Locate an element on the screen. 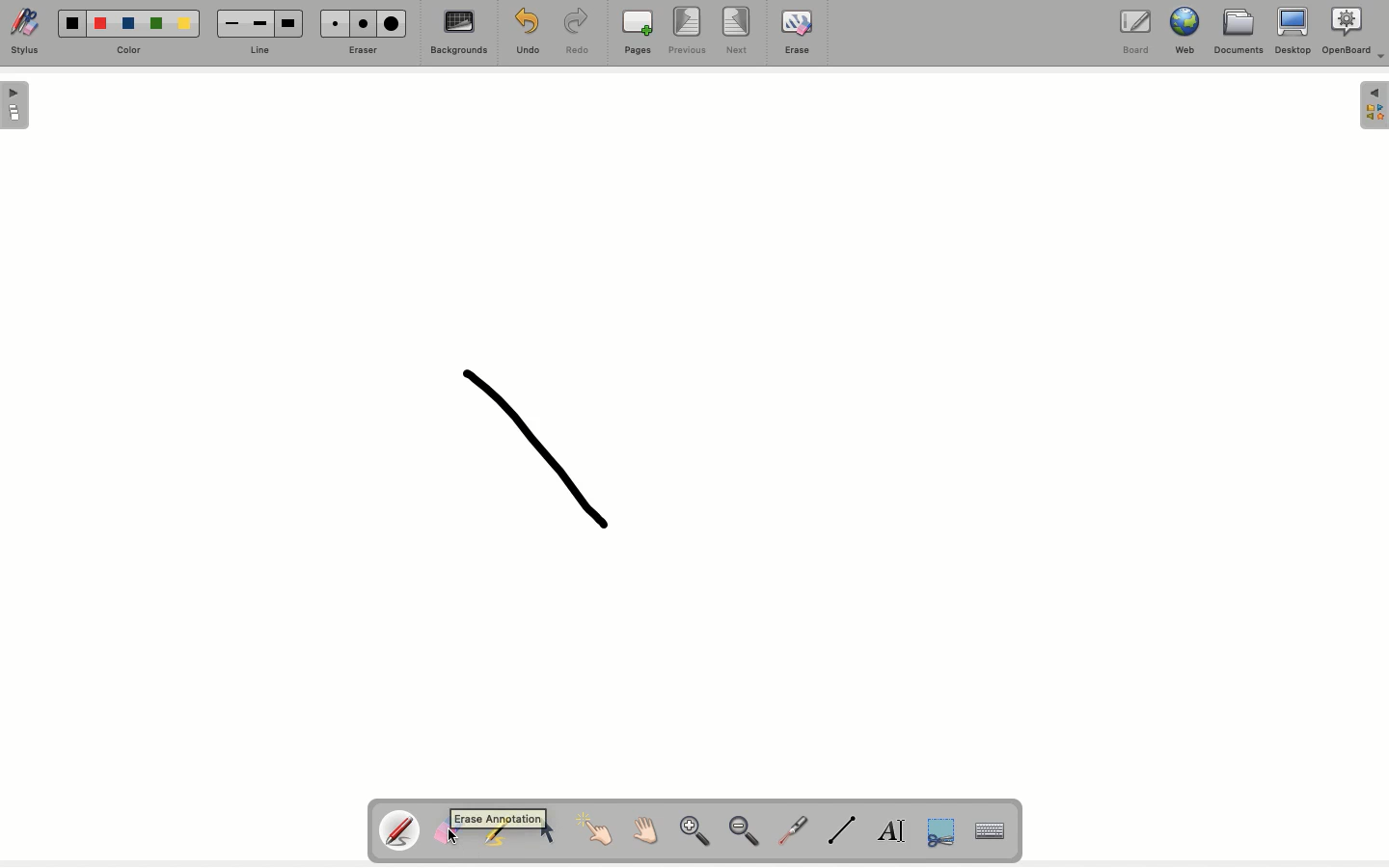 This screenshot has height=868, width=1389. Erase is located at coordinates (362, 51).